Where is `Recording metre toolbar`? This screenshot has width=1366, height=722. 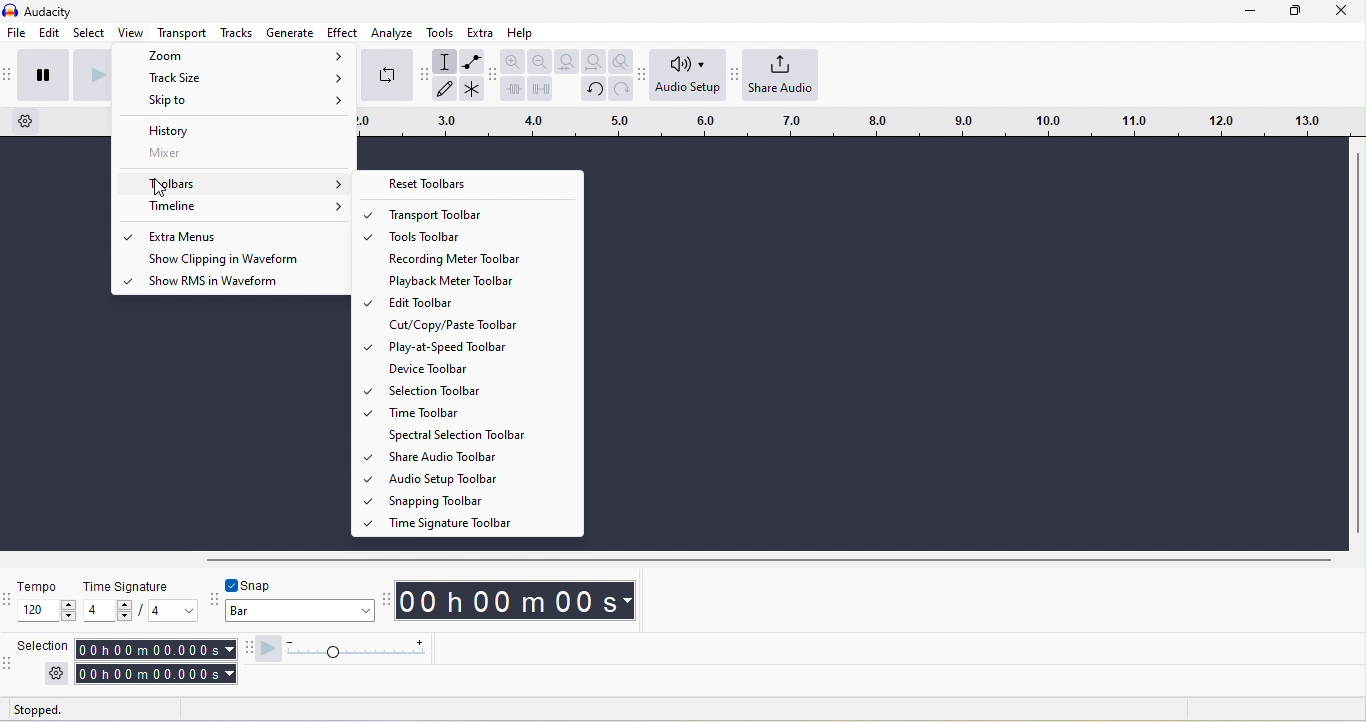 Recording metre toolbar is located at coordinates (479, 257).